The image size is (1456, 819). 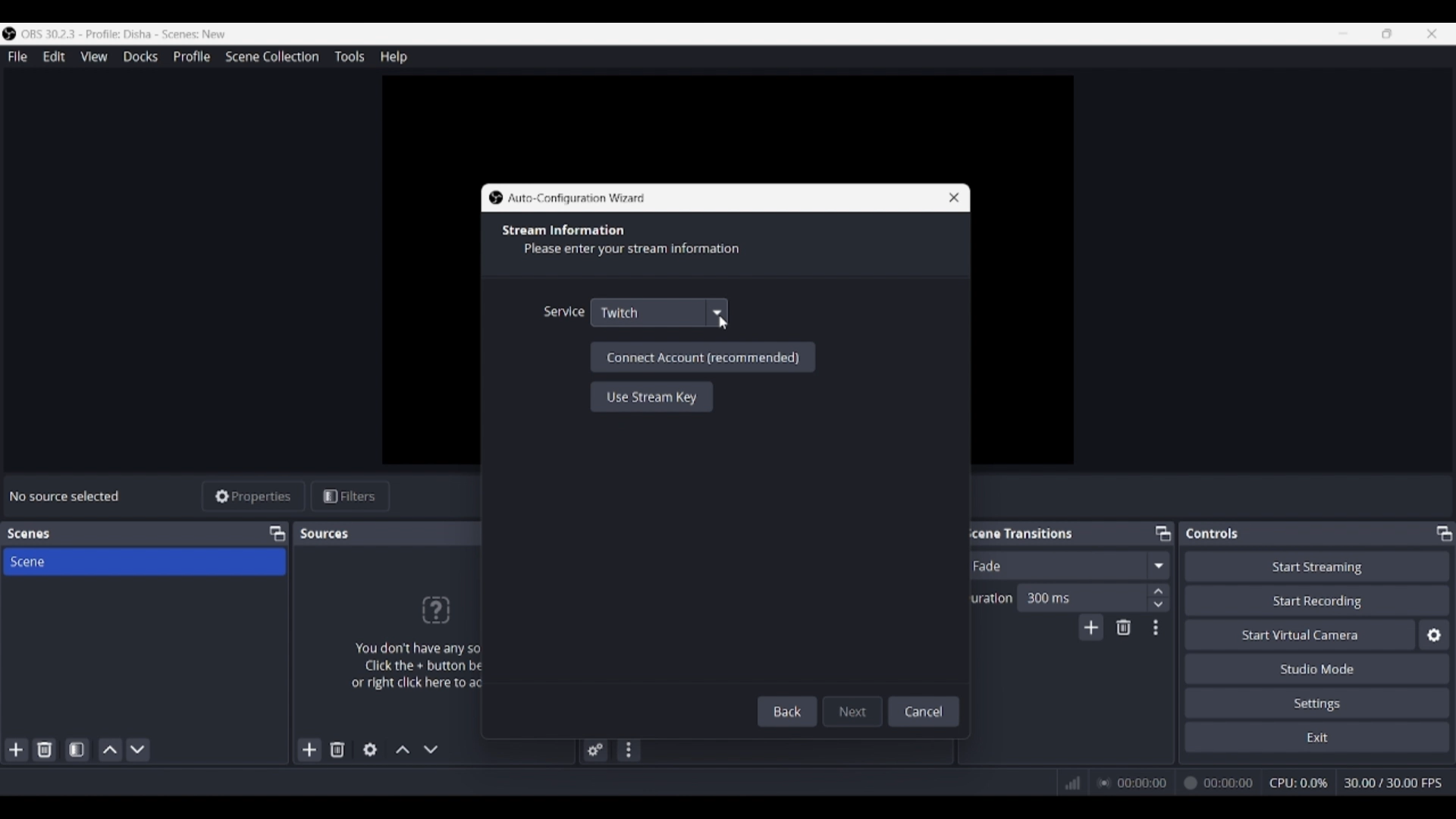 What do you see at coordinates (1444, 533) in the screenshot?
I see `Float controls panel` at bounding box center [1444, 533].